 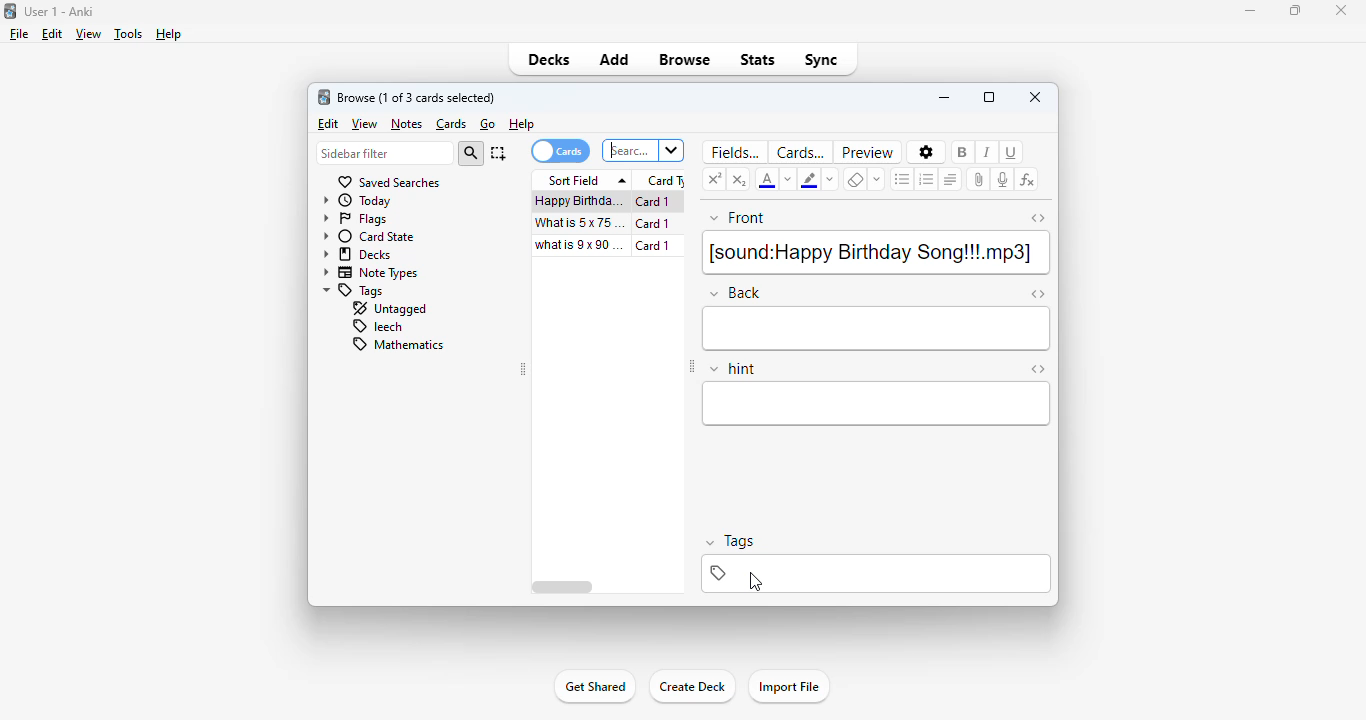 What do you see at coordinates (616, 60) in the screenshot?
I see `add` at bounding box center [616, 60].